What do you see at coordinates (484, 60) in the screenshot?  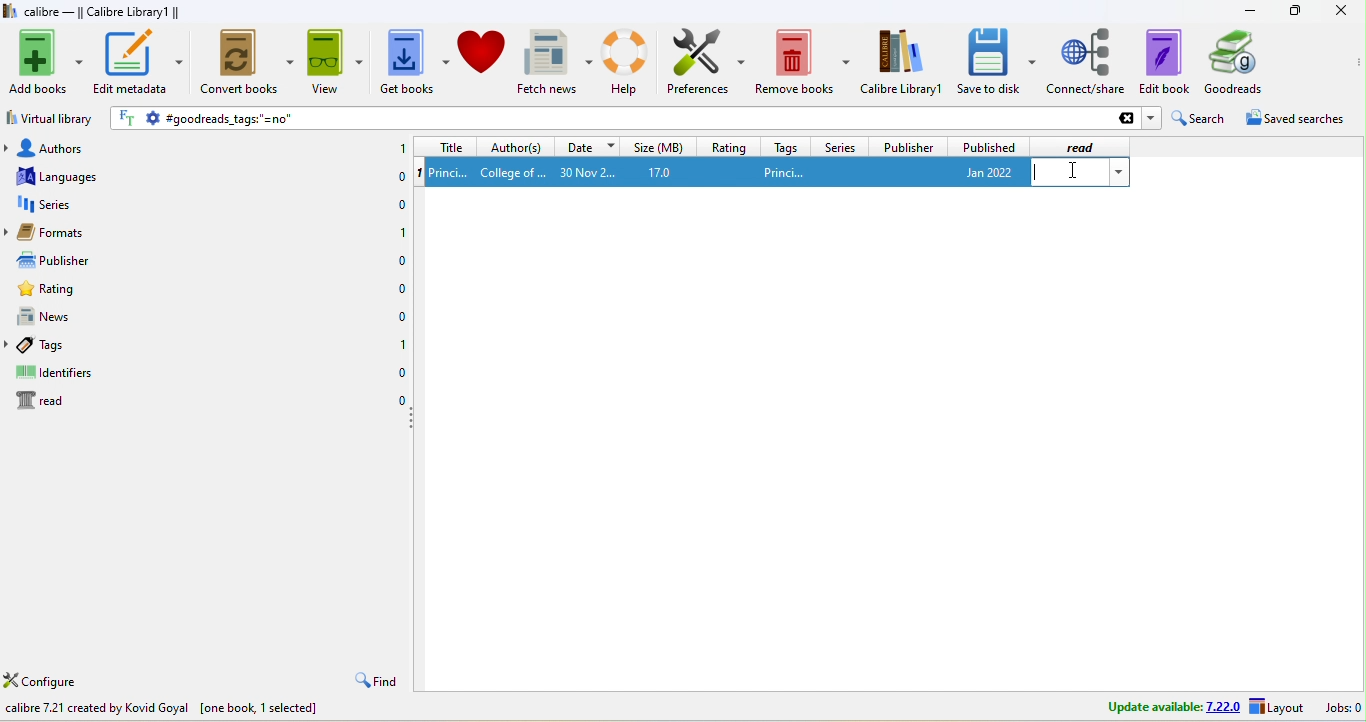 I see `donate` at bounding box center [484, 60].